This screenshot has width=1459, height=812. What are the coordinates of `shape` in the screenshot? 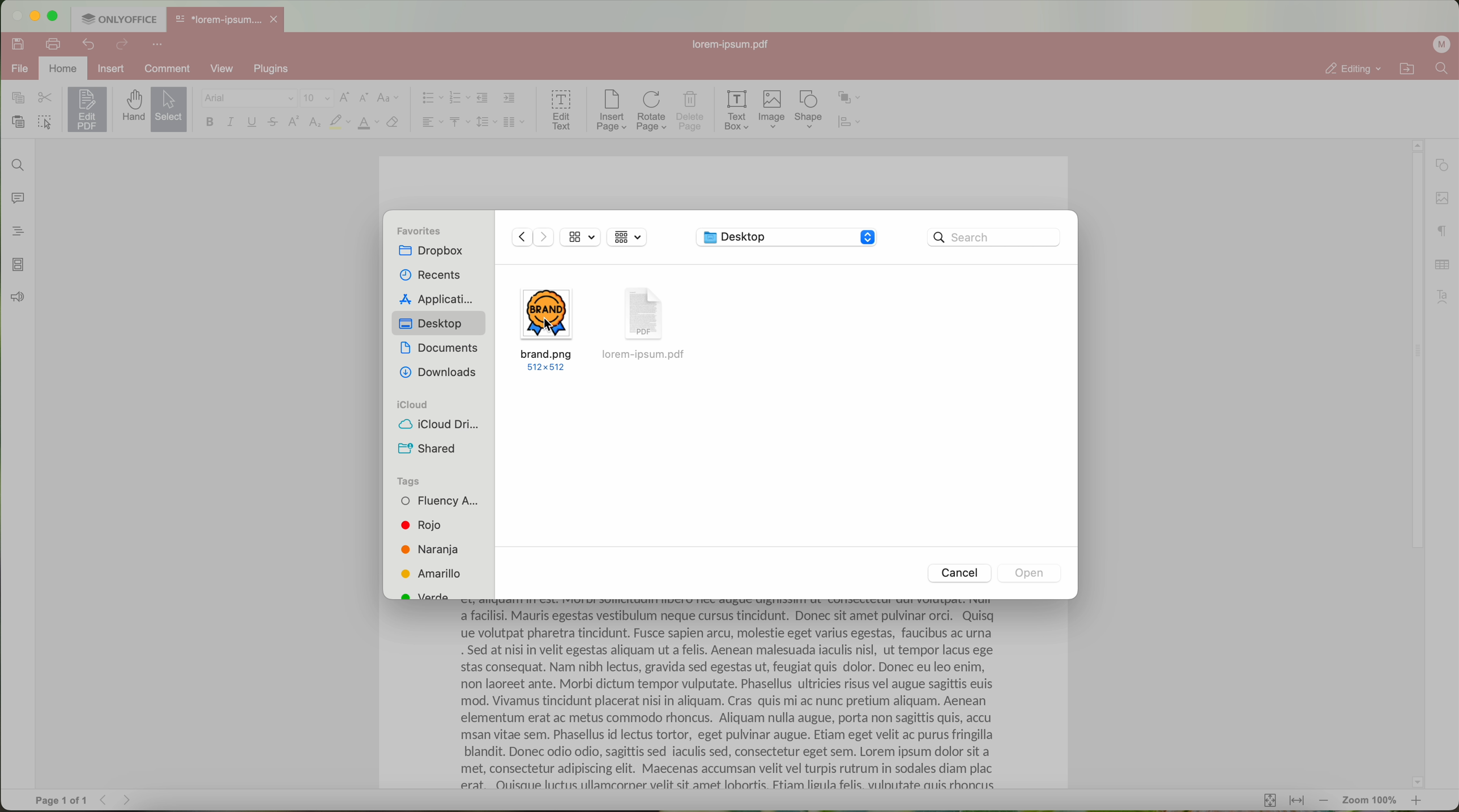 It's located at (809, 110).